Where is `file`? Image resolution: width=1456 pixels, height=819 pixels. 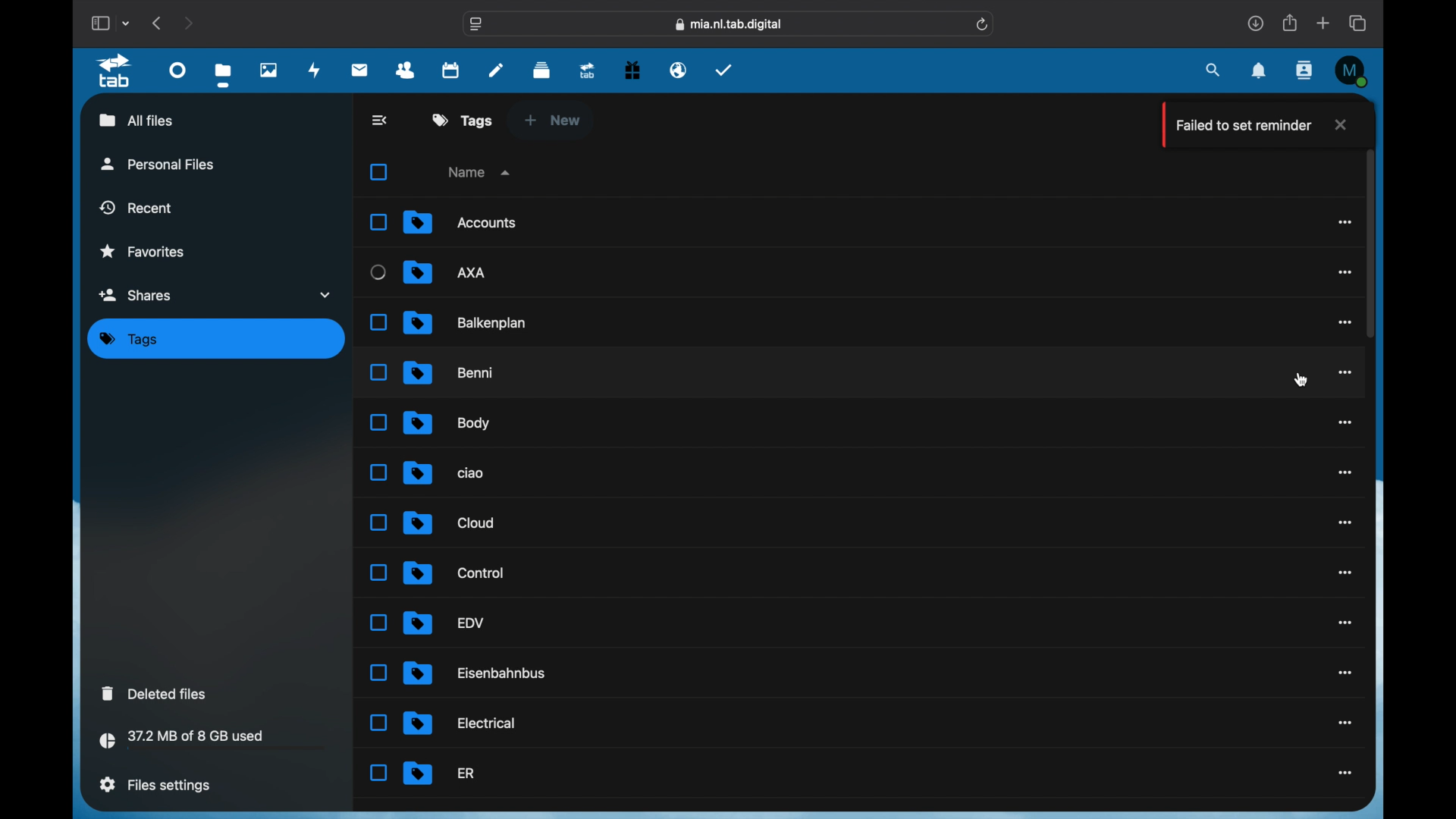 file is located at coordinates (449, 522).